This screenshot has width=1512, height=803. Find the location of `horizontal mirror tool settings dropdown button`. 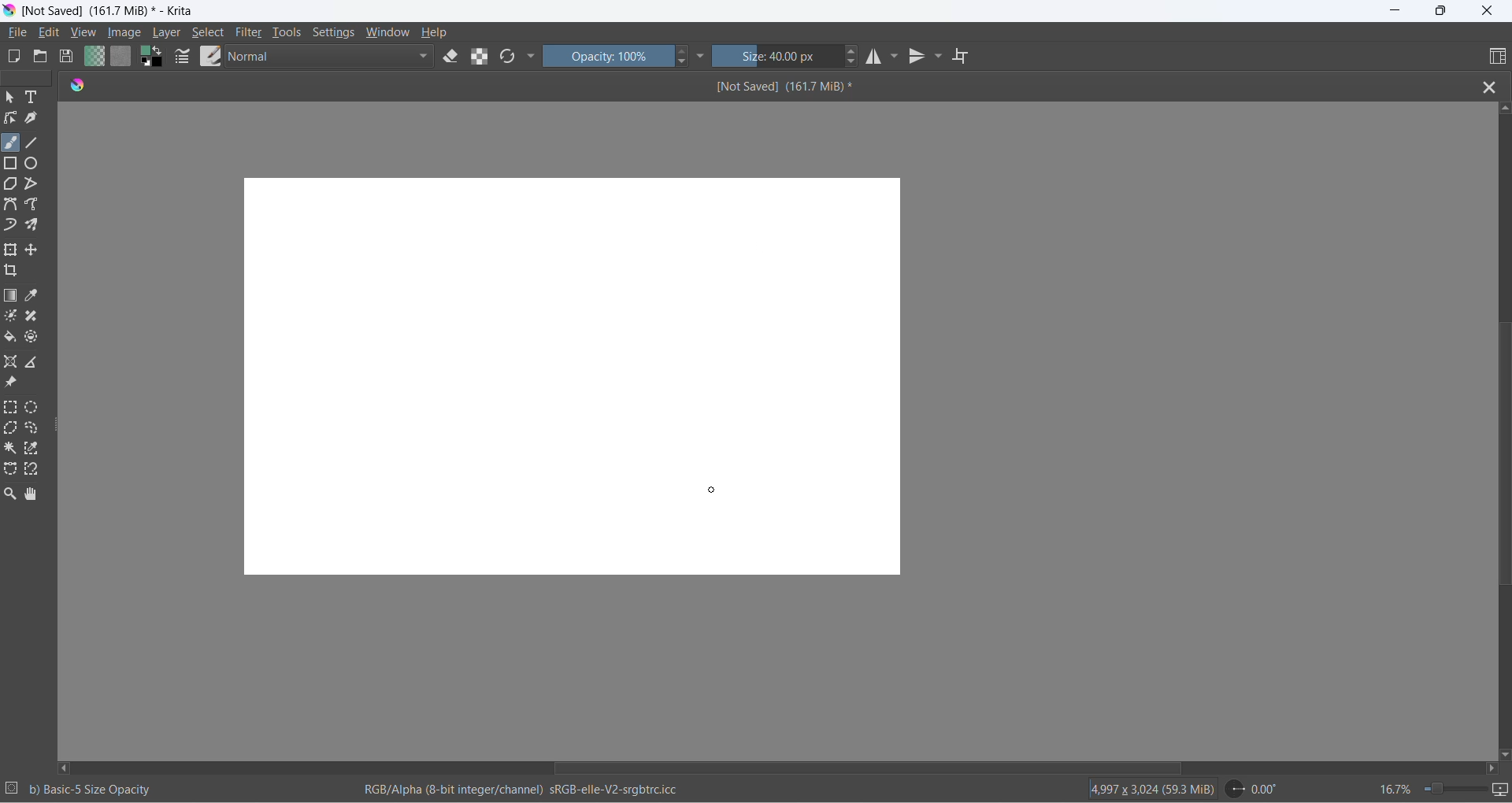

horizontal mirror tool settings dropdown button is located at coordinates (896, 60).